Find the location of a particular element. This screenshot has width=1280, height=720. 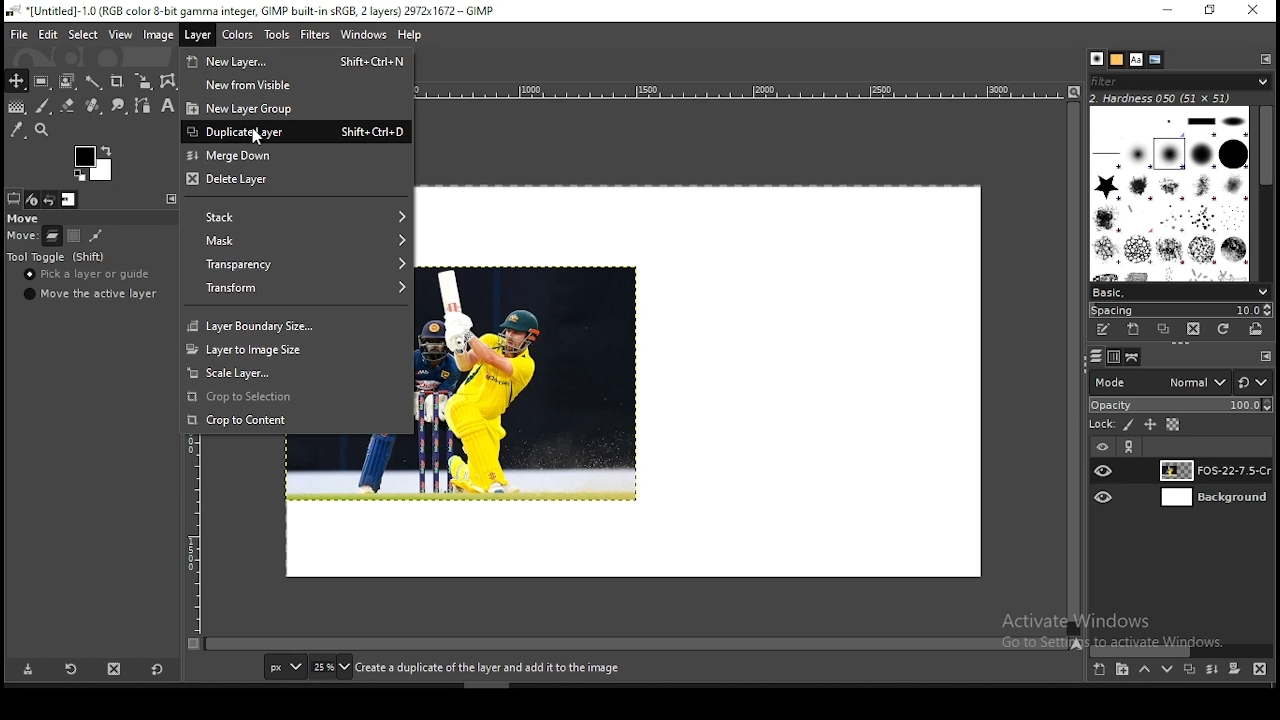

transform is located at coordinates (296, 287).